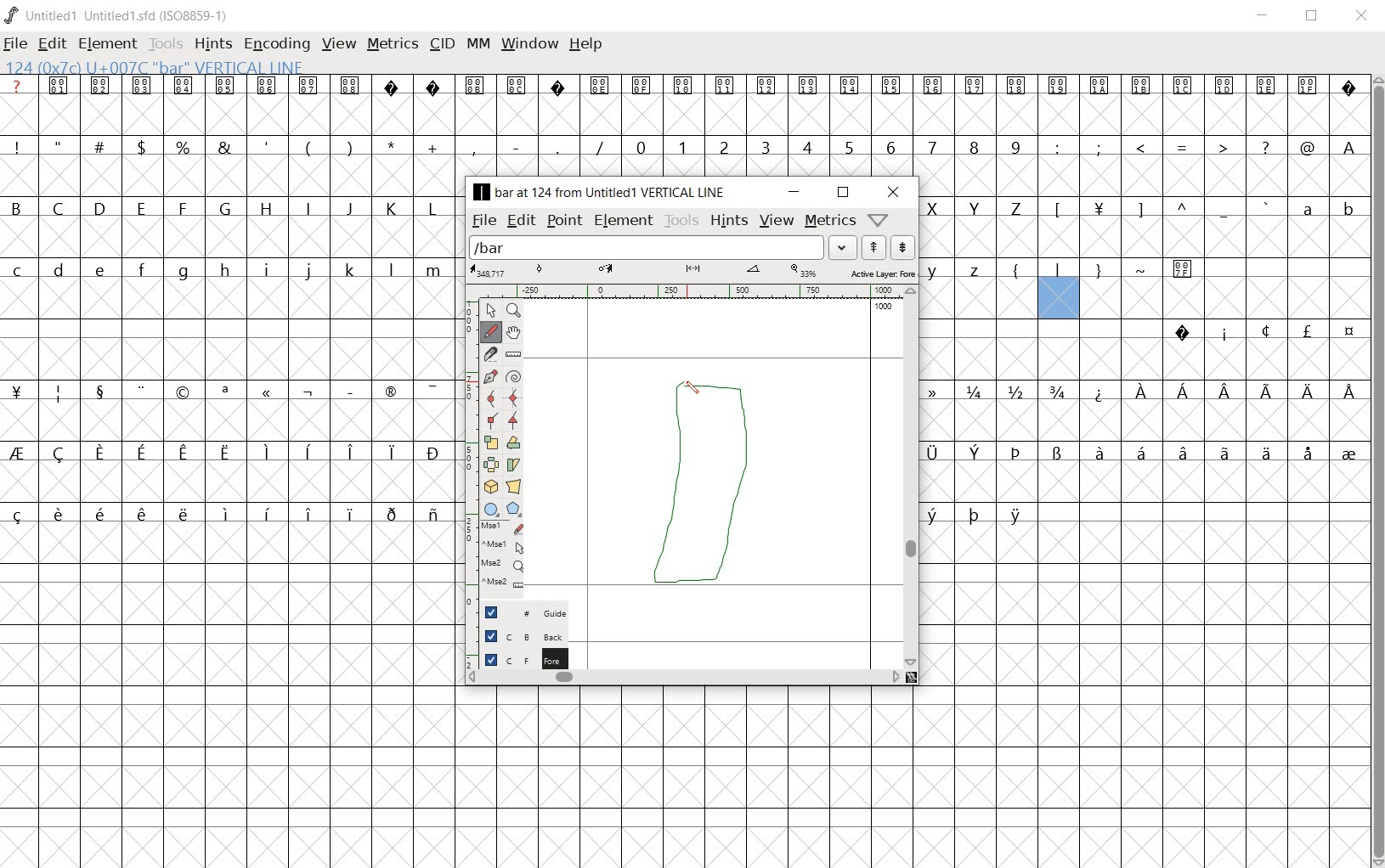 This screenshot has width=1385, height=868. I want to click on empty cells, so click(1142, 177).